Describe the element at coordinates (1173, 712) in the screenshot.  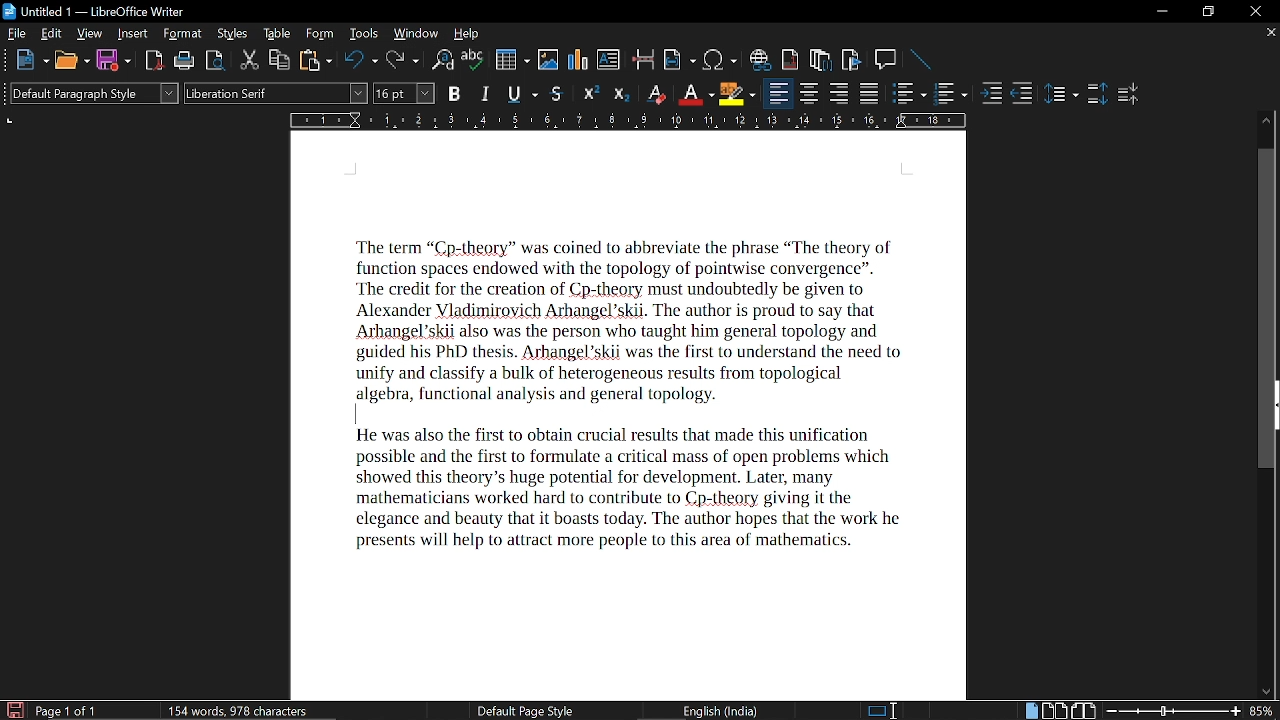
I see `Change zoom` at that location.